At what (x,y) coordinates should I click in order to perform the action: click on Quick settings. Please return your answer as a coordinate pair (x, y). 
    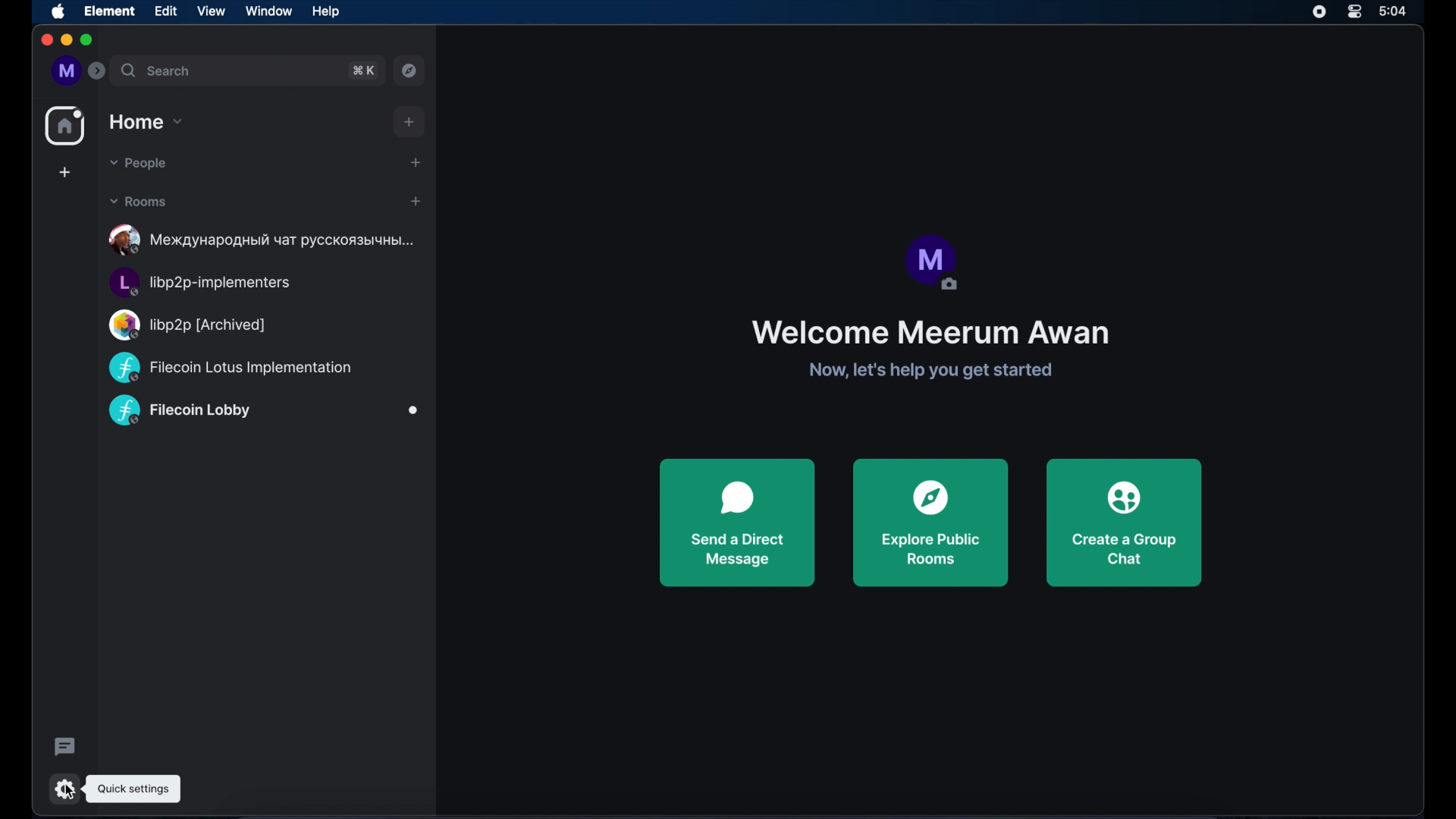
    Looking at the image, I should click on (137, 782).